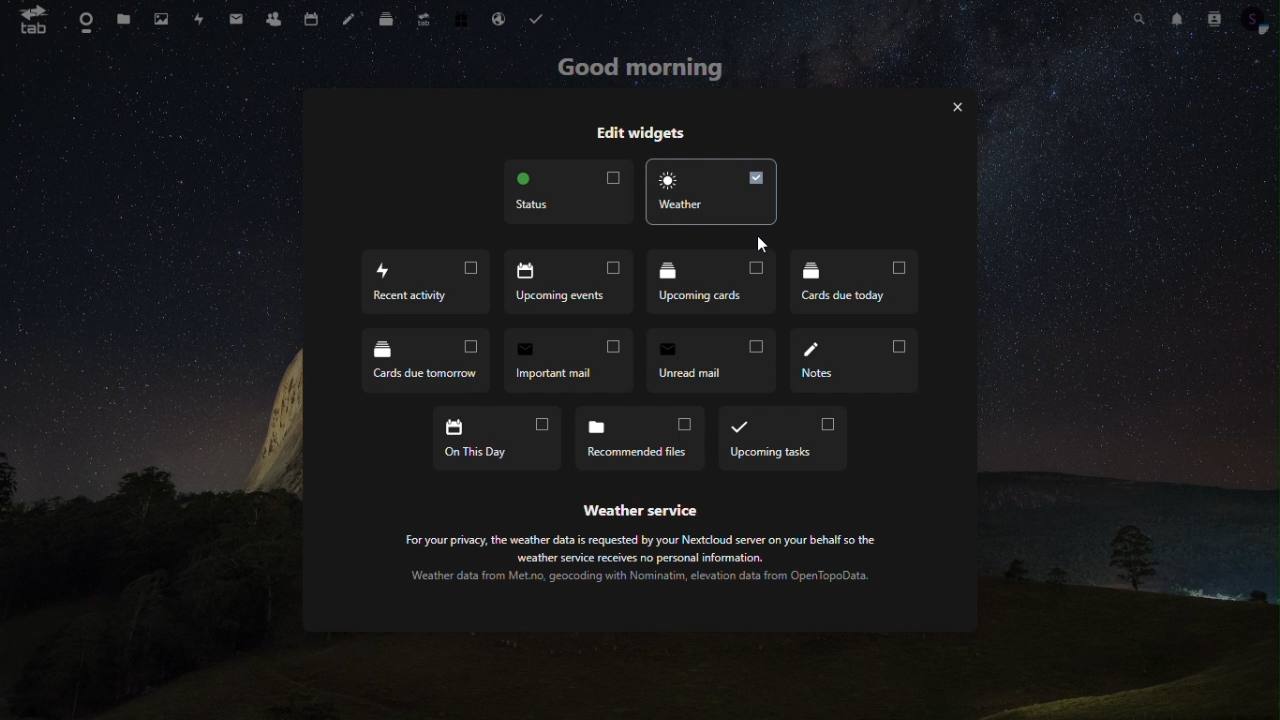  Describe the element at coordinates (855, 282) in the screenshot. I see `cards due today` at that location.